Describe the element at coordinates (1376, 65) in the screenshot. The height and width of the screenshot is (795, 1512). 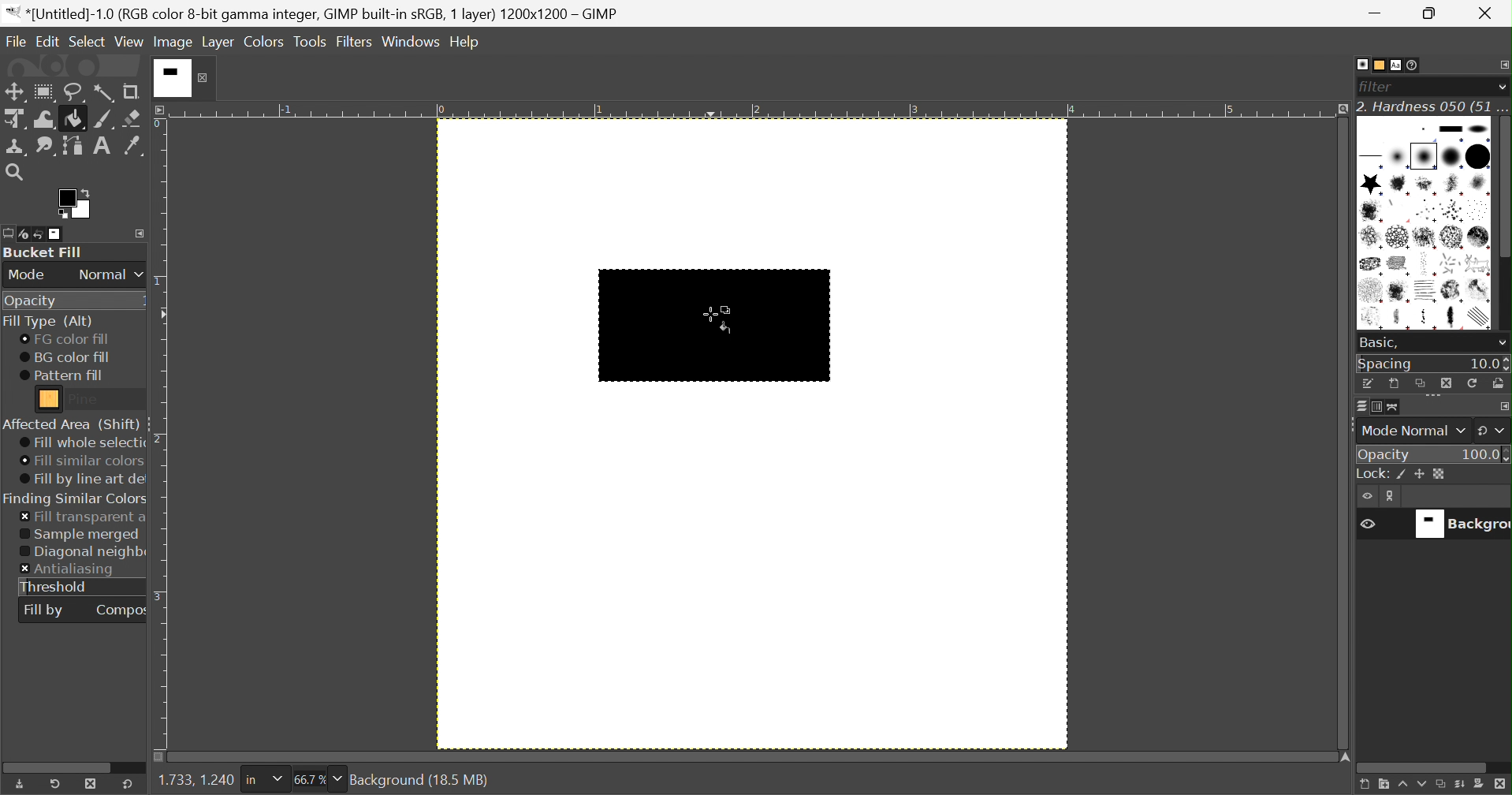
I see `Patterns` at that location.